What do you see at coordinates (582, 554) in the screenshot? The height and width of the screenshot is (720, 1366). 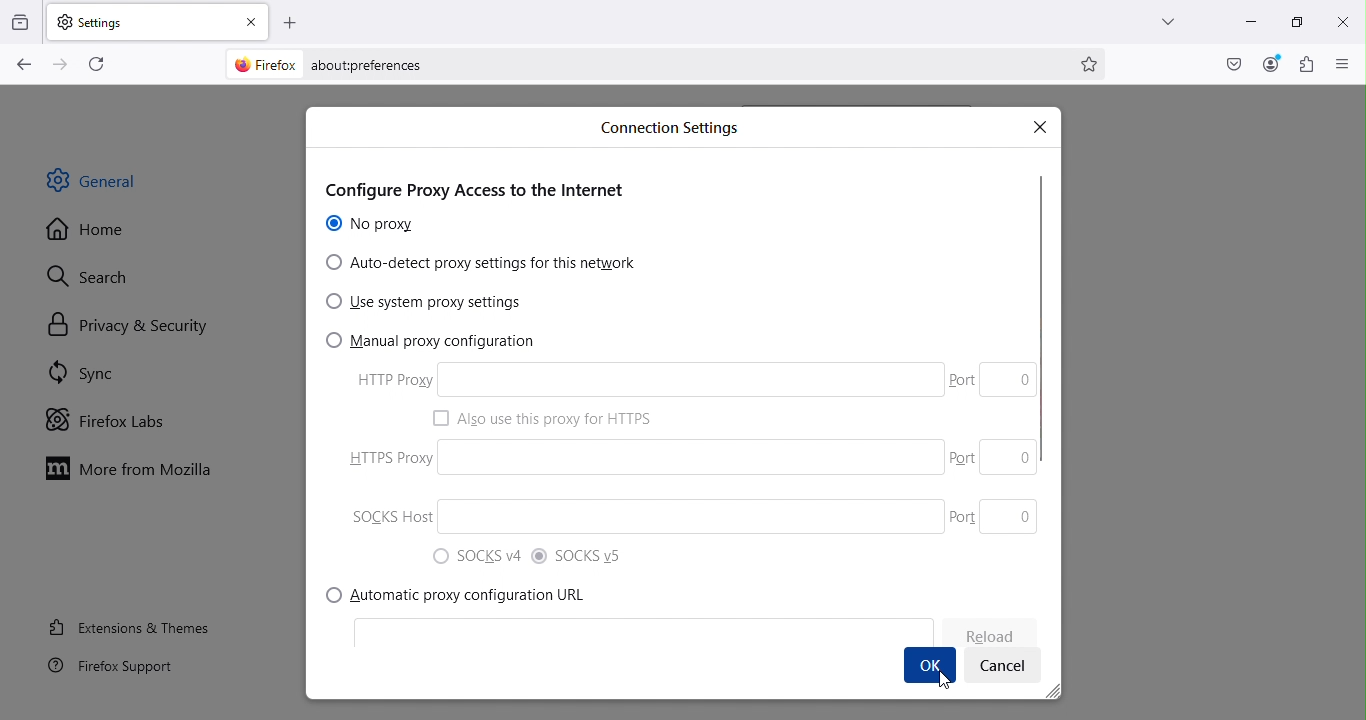 I see `SOCKS v5` at bounding box center [582, 554].